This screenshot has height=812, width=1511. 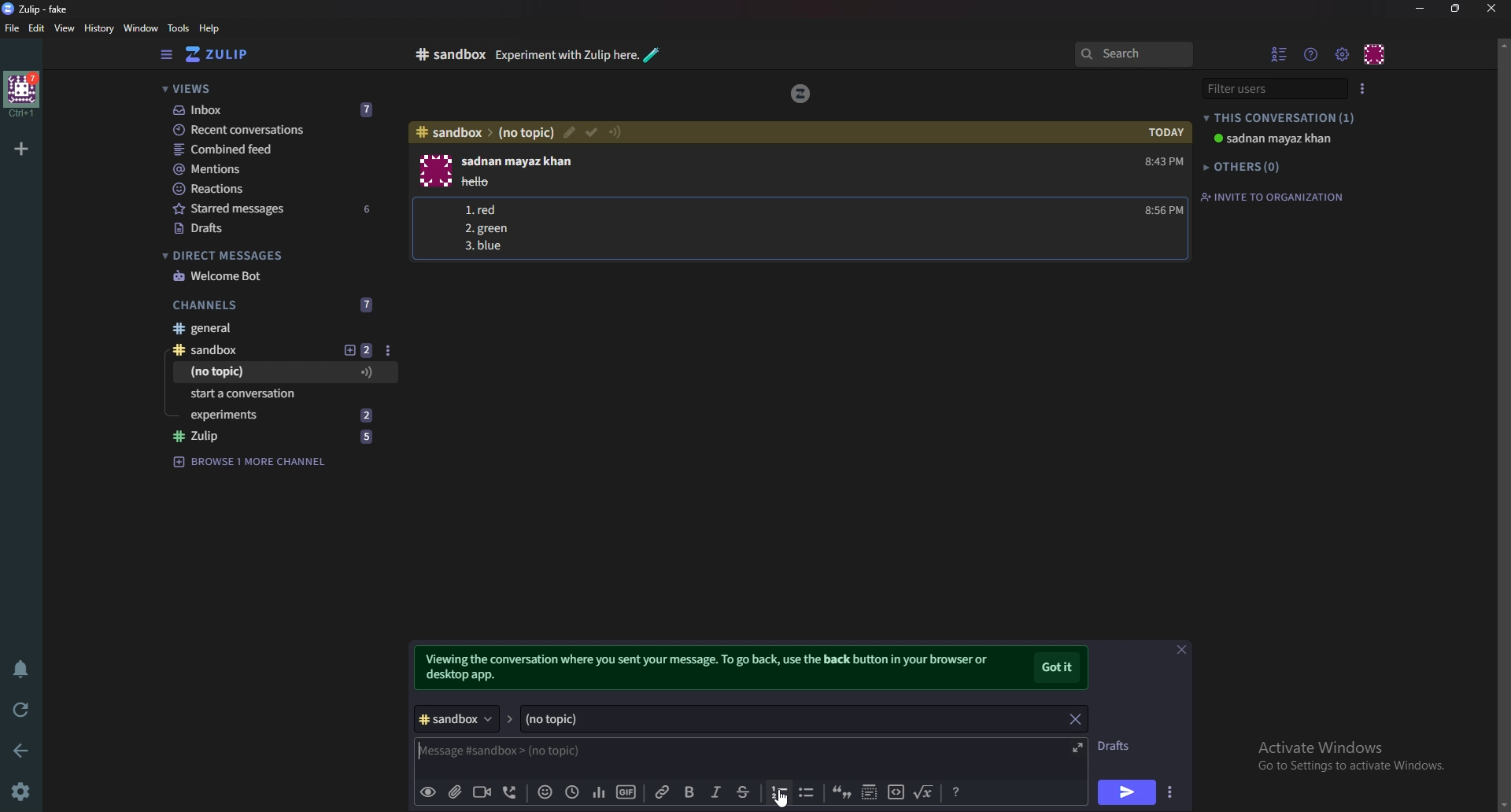 What do you see at coordinates (713, 668) in the screenshot?
I see `info` at bounding box center [713, 668].